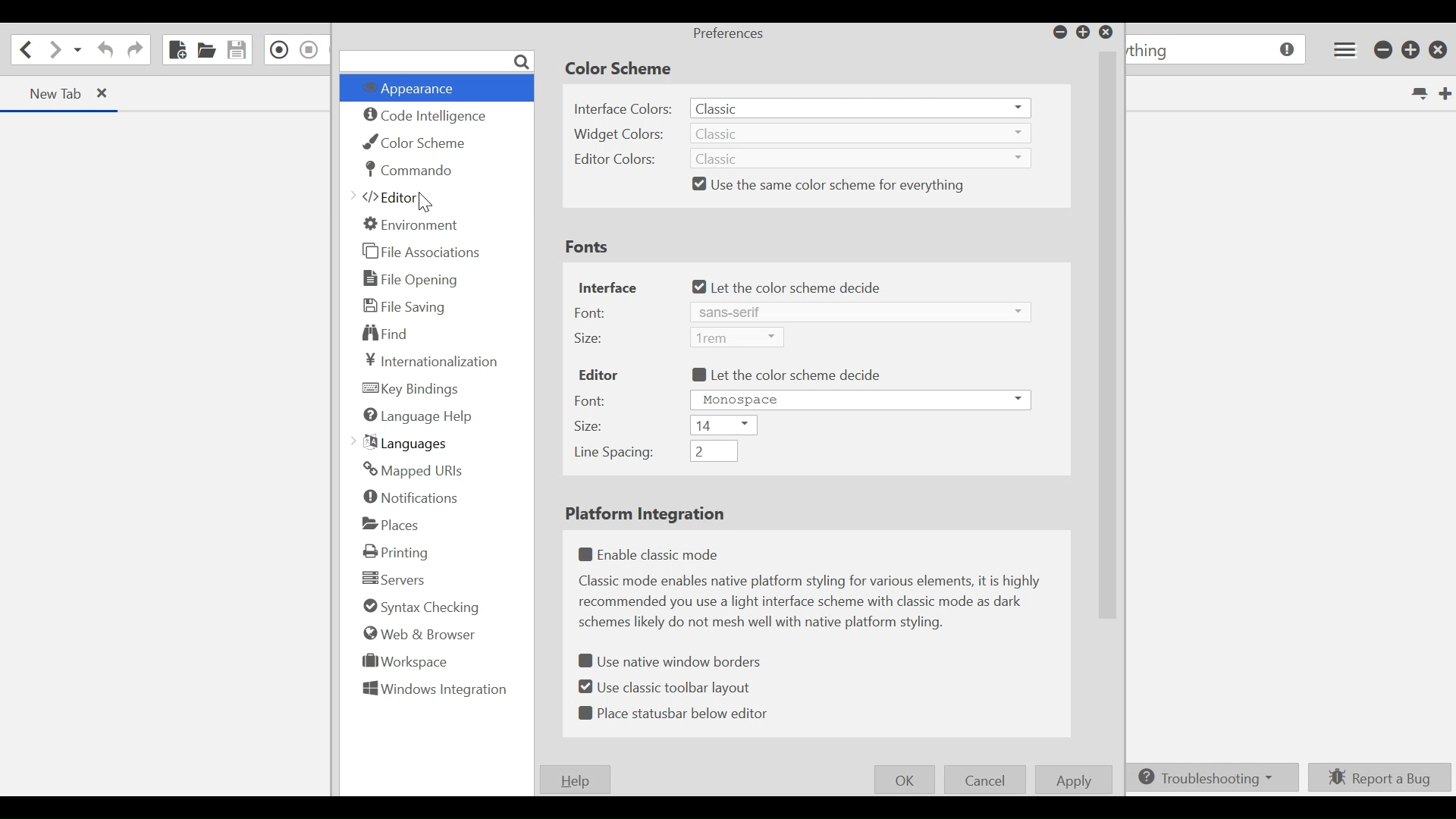 The image size is (1456, 819). Describe the element at coordinates (595, 312) in the screenshot. I see `Font:` at that location.